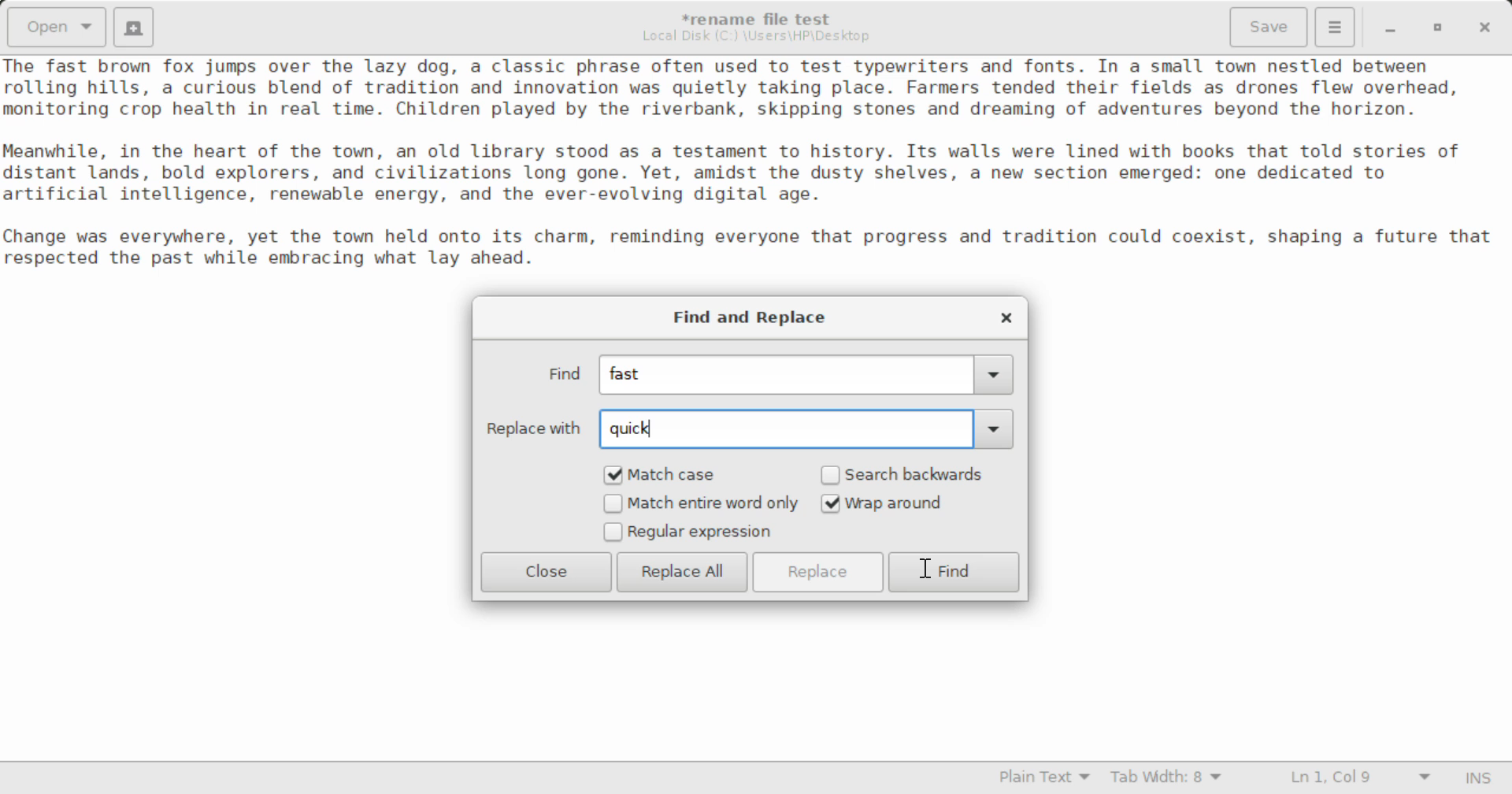  I want to click on Close Window, so click(1482, 27).